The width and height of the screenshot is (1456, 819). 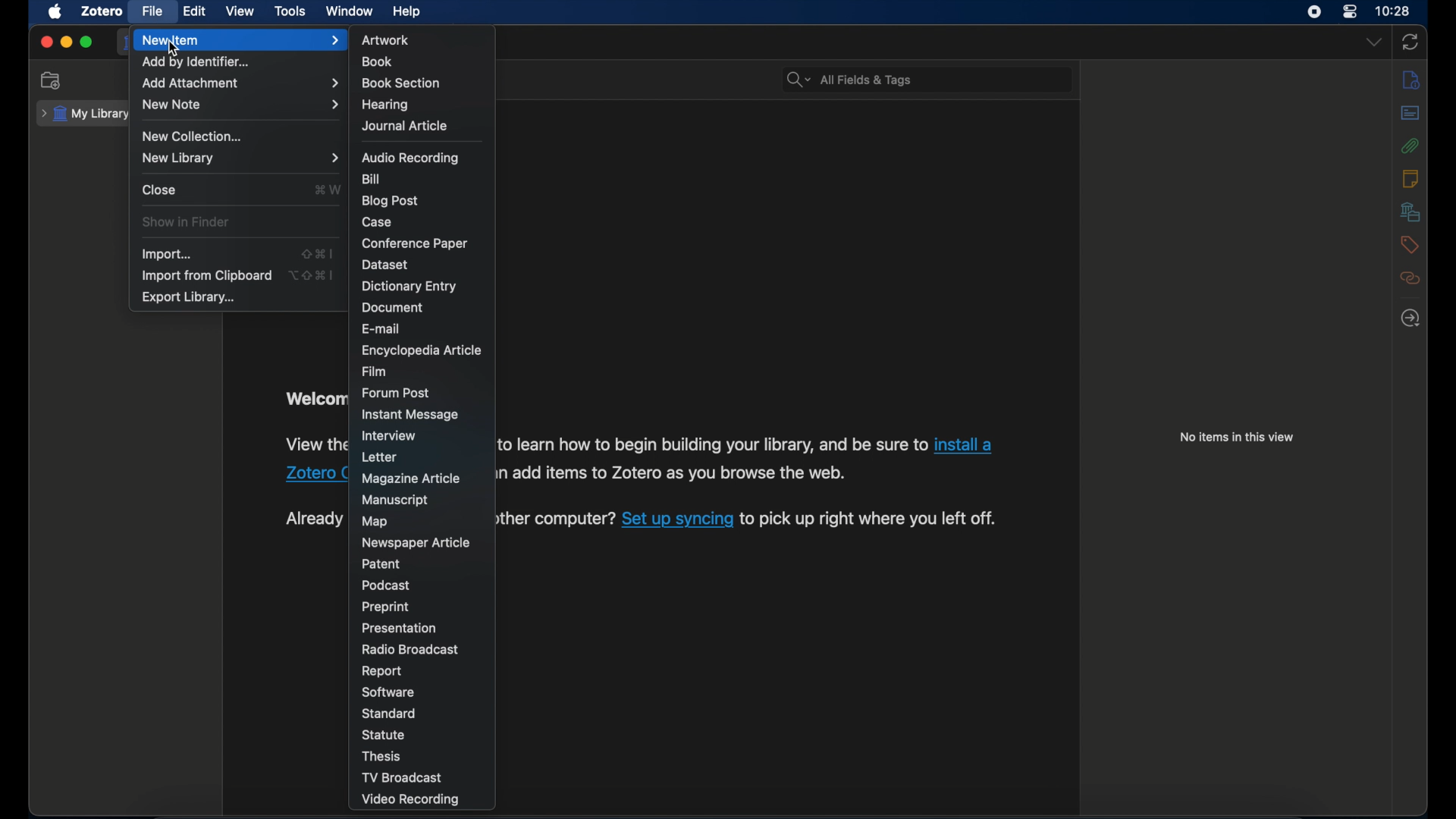 What do you see at coordinates (350, 11) in the screenshot?
I see `window` at bounding box center [350, 11].